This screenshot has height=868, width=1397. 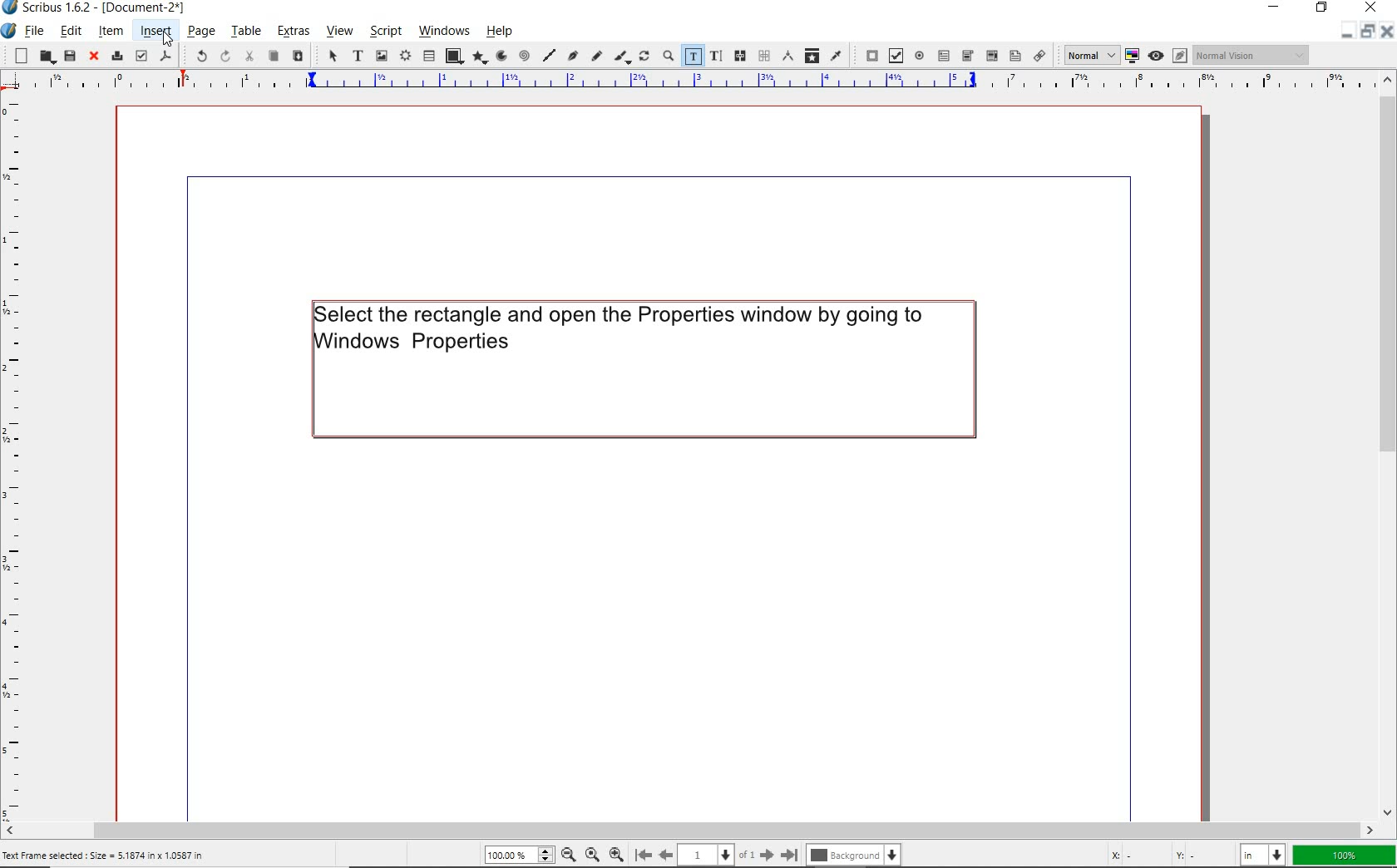 What do you see at coordinates (274, 57) in the screenshot?
I see `copy` at bounding box center [274, 57].